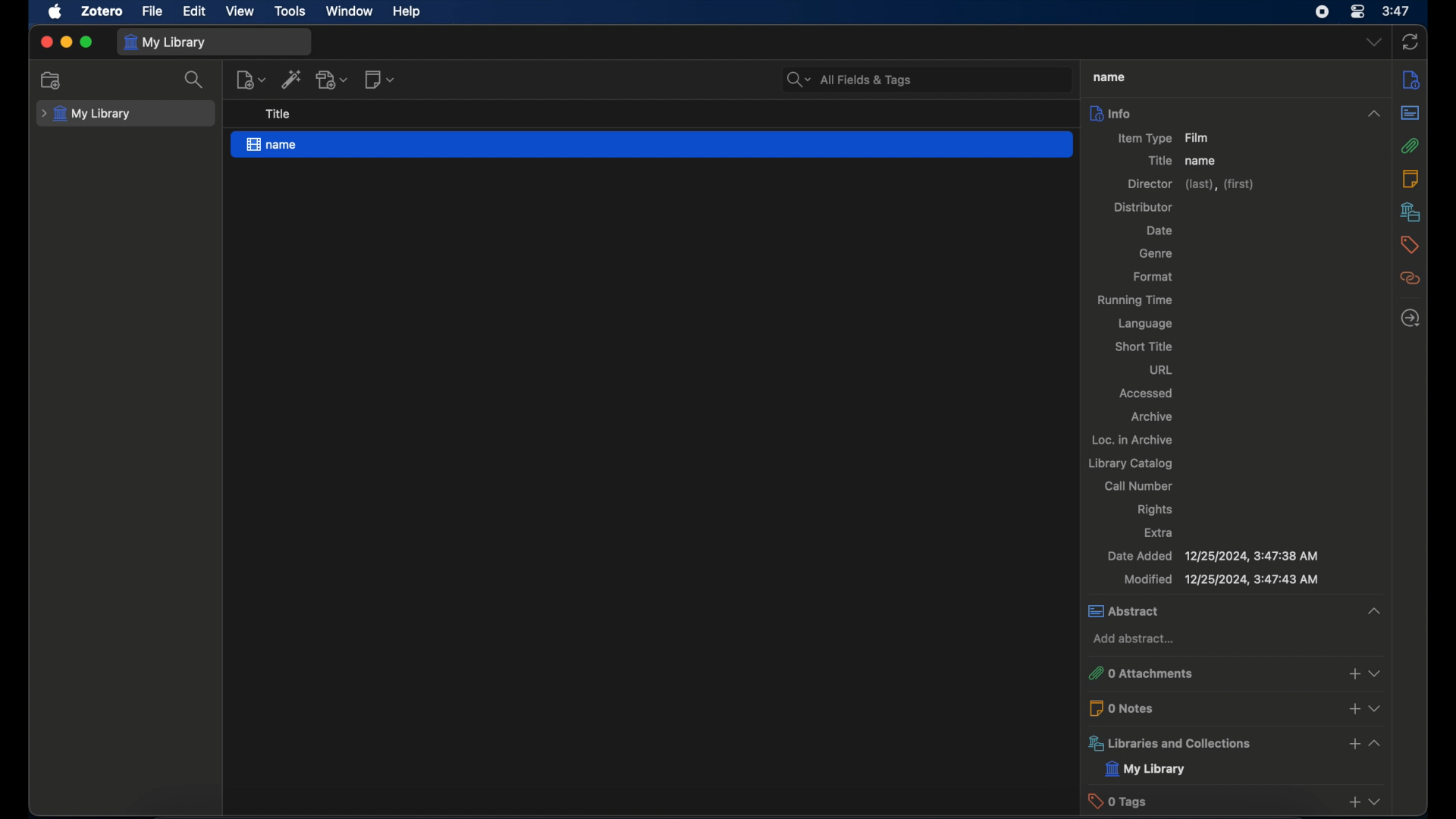 The width and height of the screenshot is (1456, 819). What do you see at coordinates (1136, 300) in the screenshot?
I see `running time` at bounding box center [1136, 300].